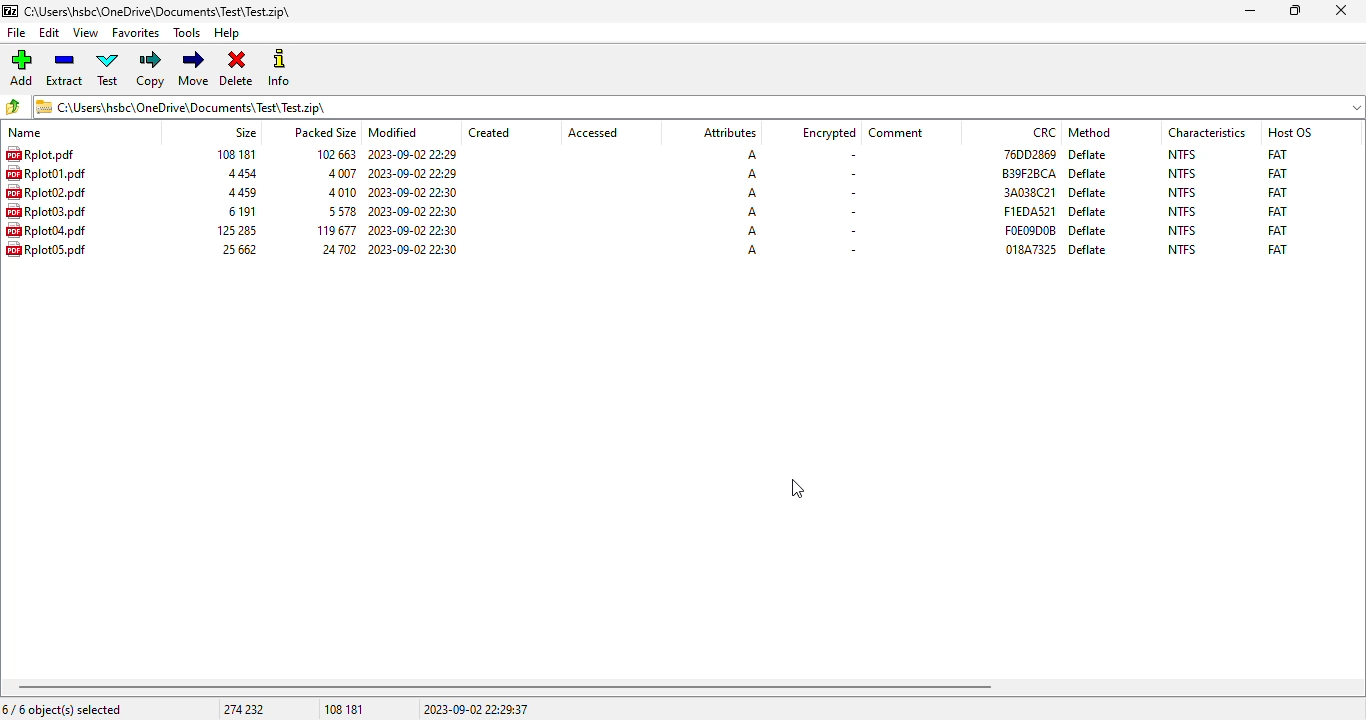 The height and width of the screenshot is (720, 1366). Describe the element at coordinates (1277, 153) in the screenshot. I see `FAT` at that location.